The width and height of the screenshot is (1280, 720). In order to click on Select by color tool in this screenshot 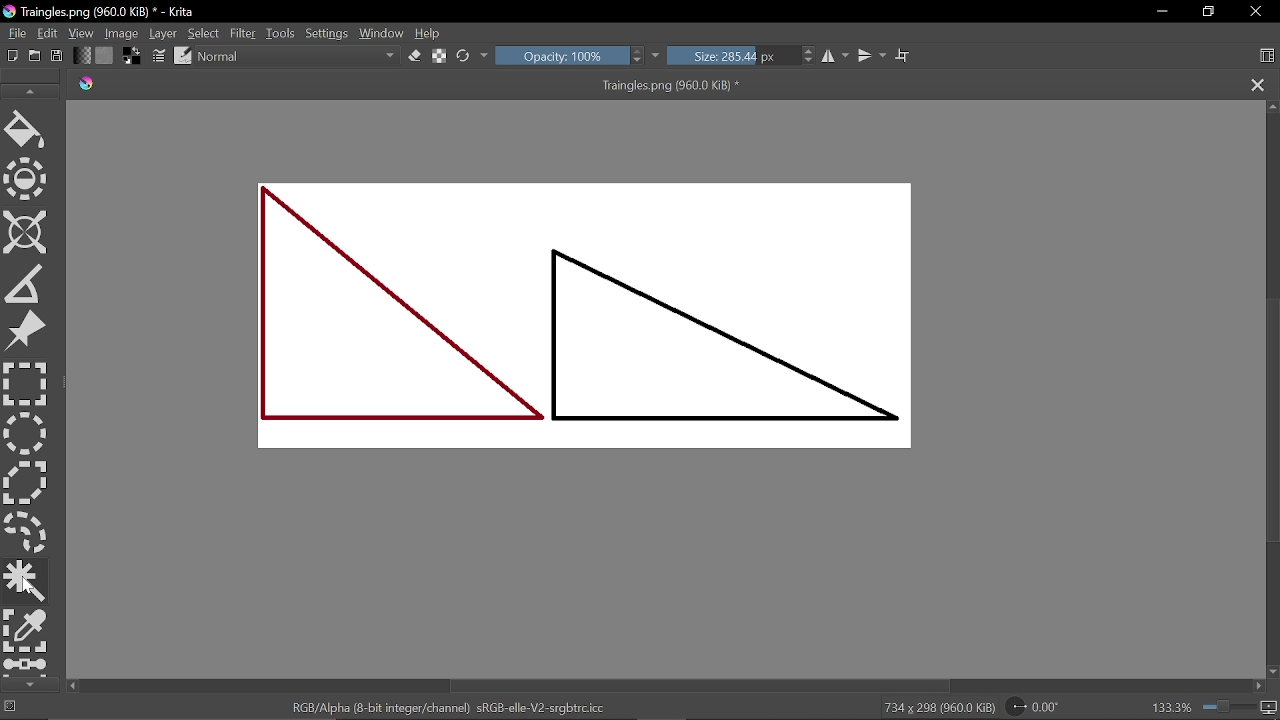, I will do `click(27, 632)`.